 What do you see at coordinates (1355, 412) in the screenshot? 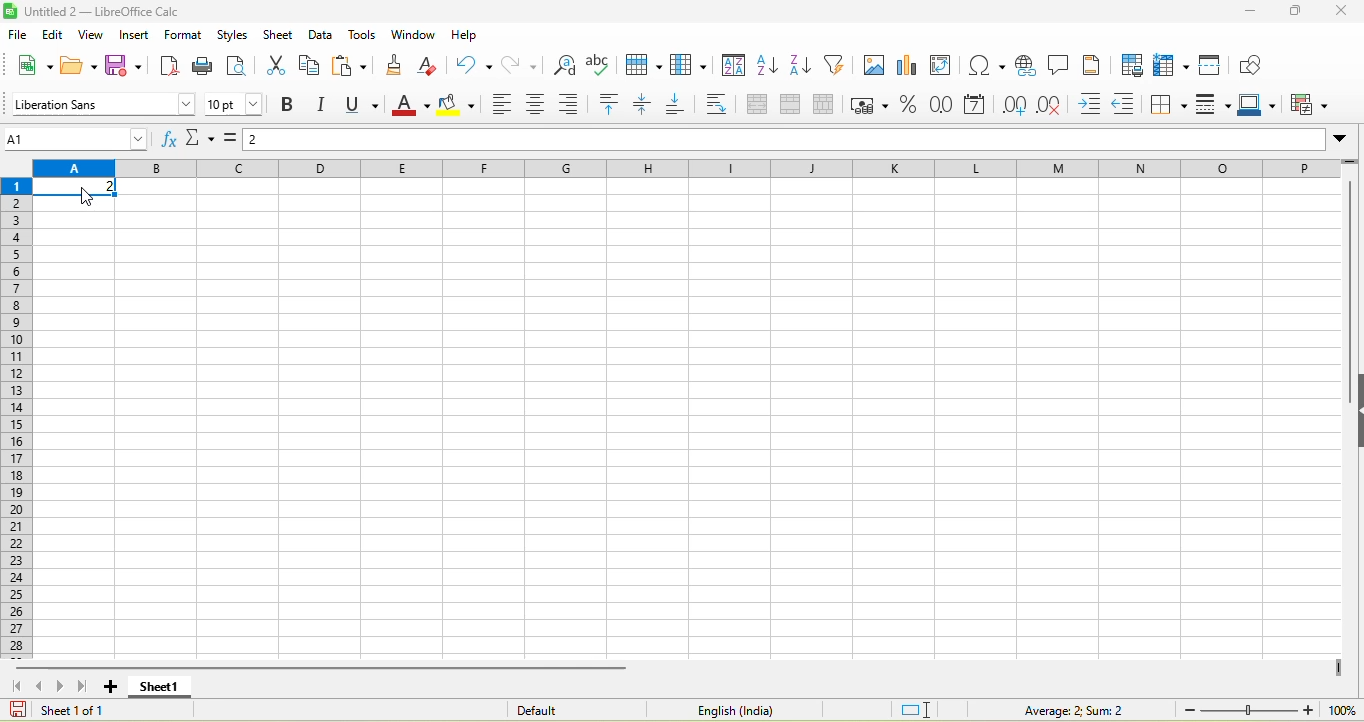
I see `height` at bounding box center [1355, 412].